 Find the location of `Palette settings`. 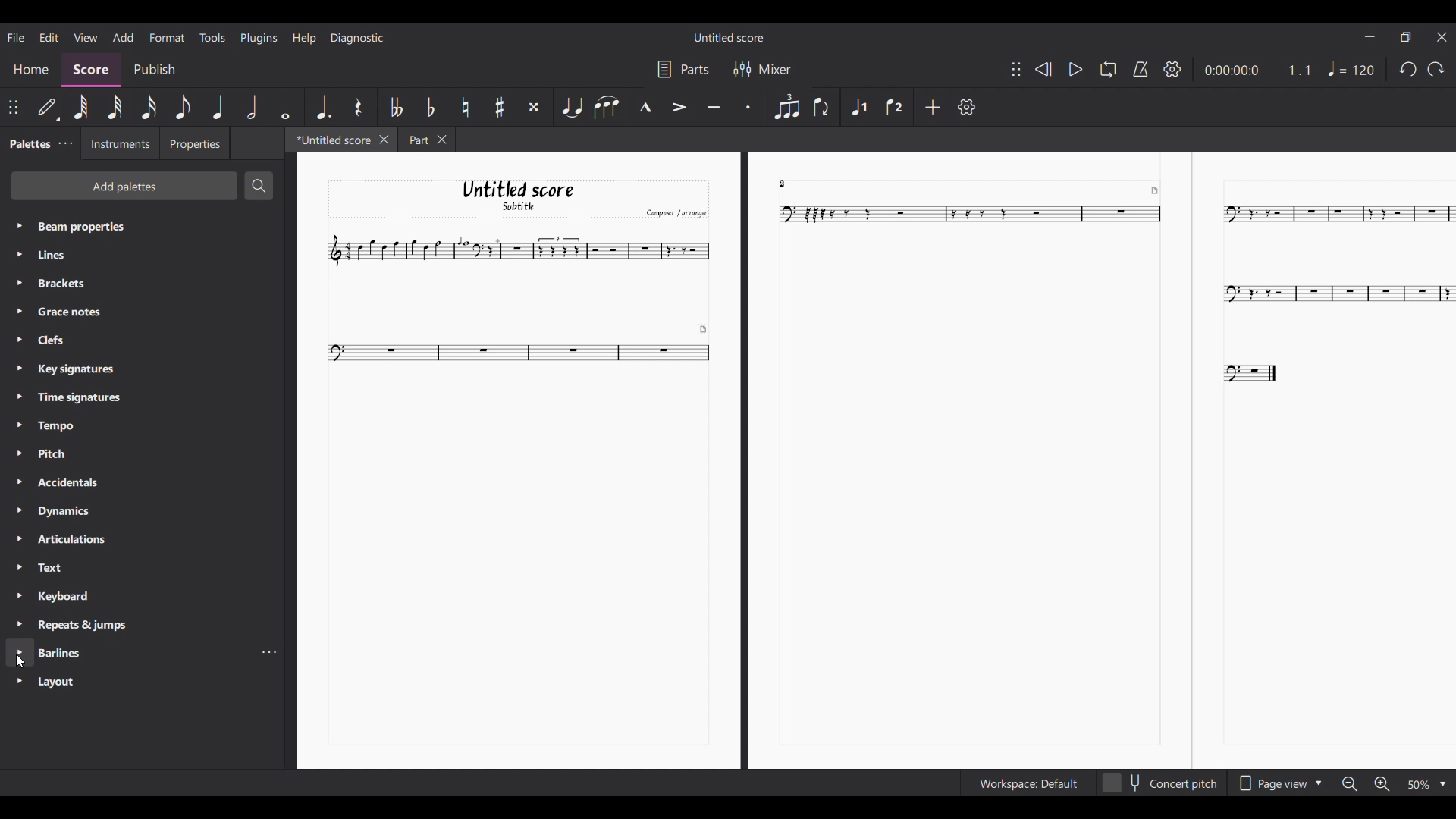

Palette settings is located at coordinates (70, 343).